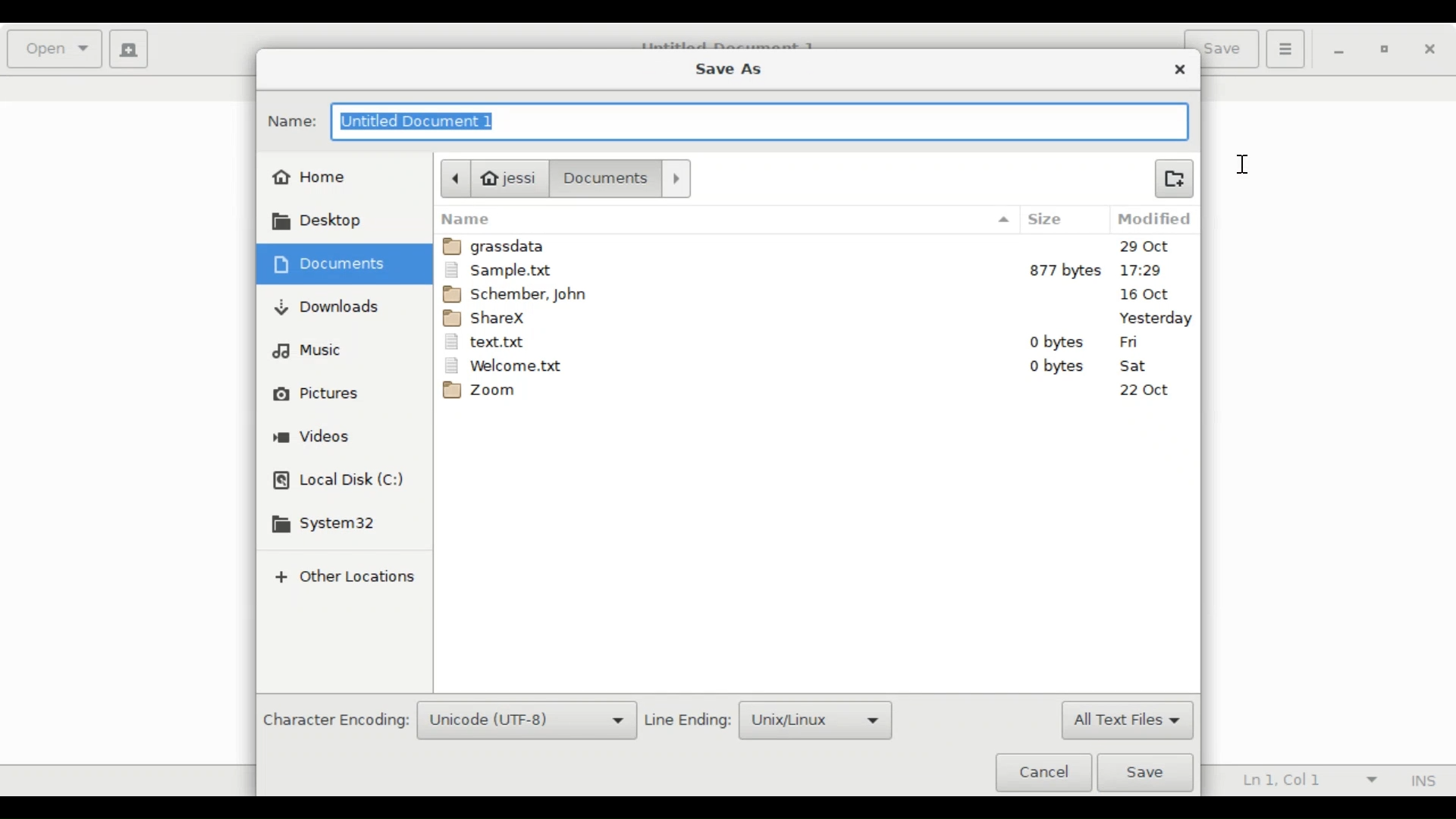  I want to click on Save As, so click(727, 67).